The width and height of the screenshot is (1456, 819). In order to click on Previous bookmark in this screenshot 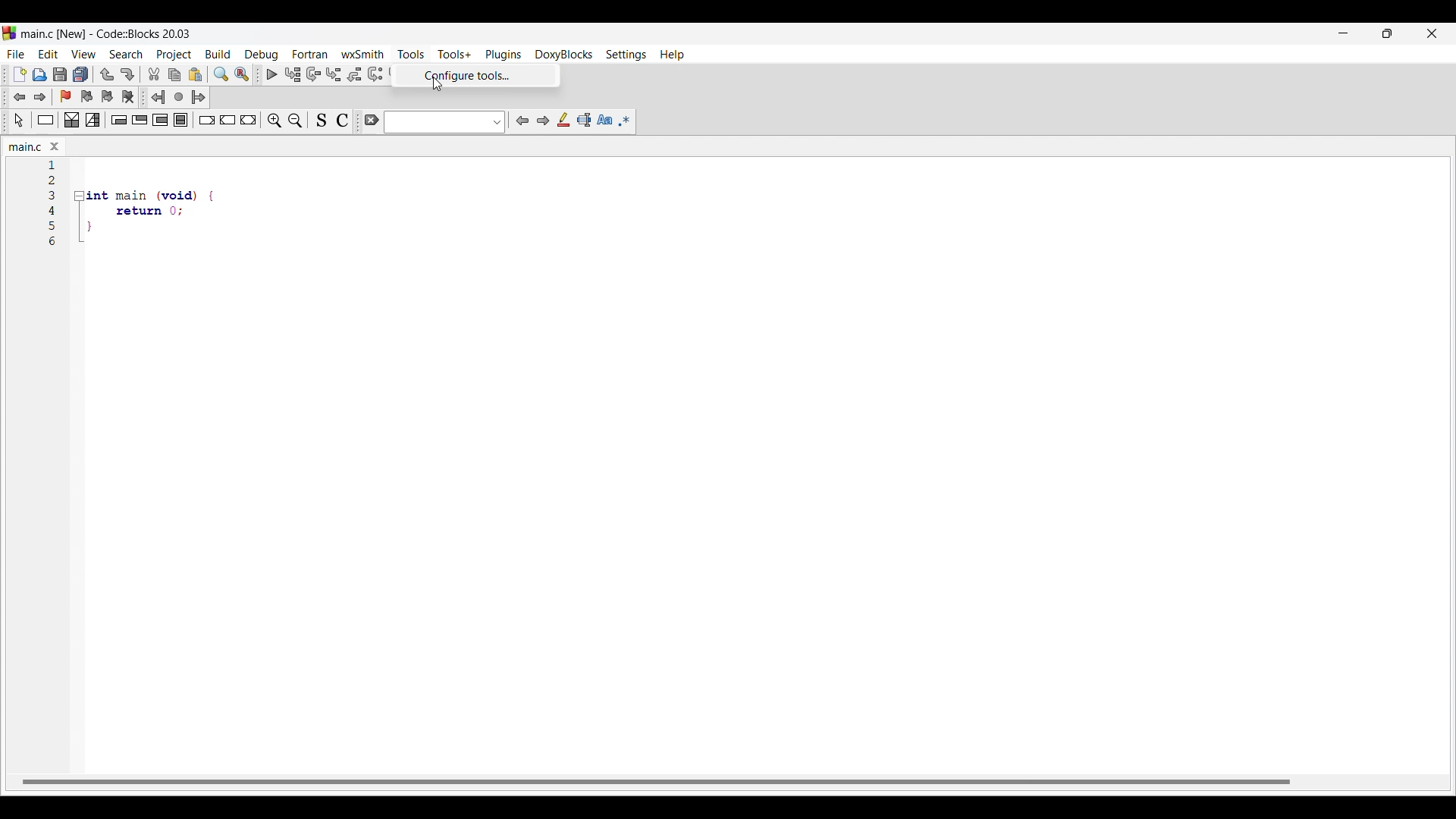, I will do `click(86, 96)`.